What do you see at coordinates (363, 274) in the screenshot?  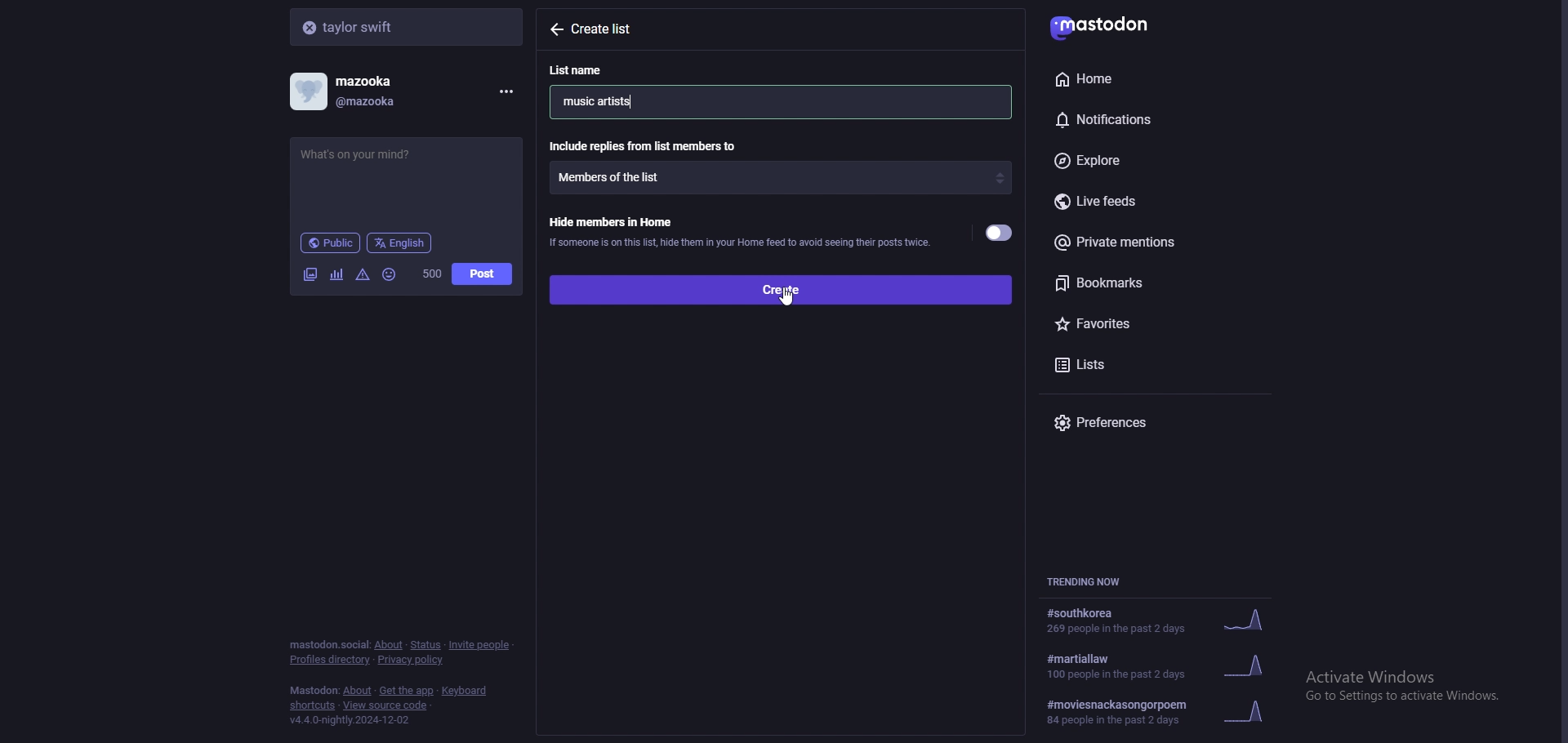 I see `warning` at bounding box center [363, 274].